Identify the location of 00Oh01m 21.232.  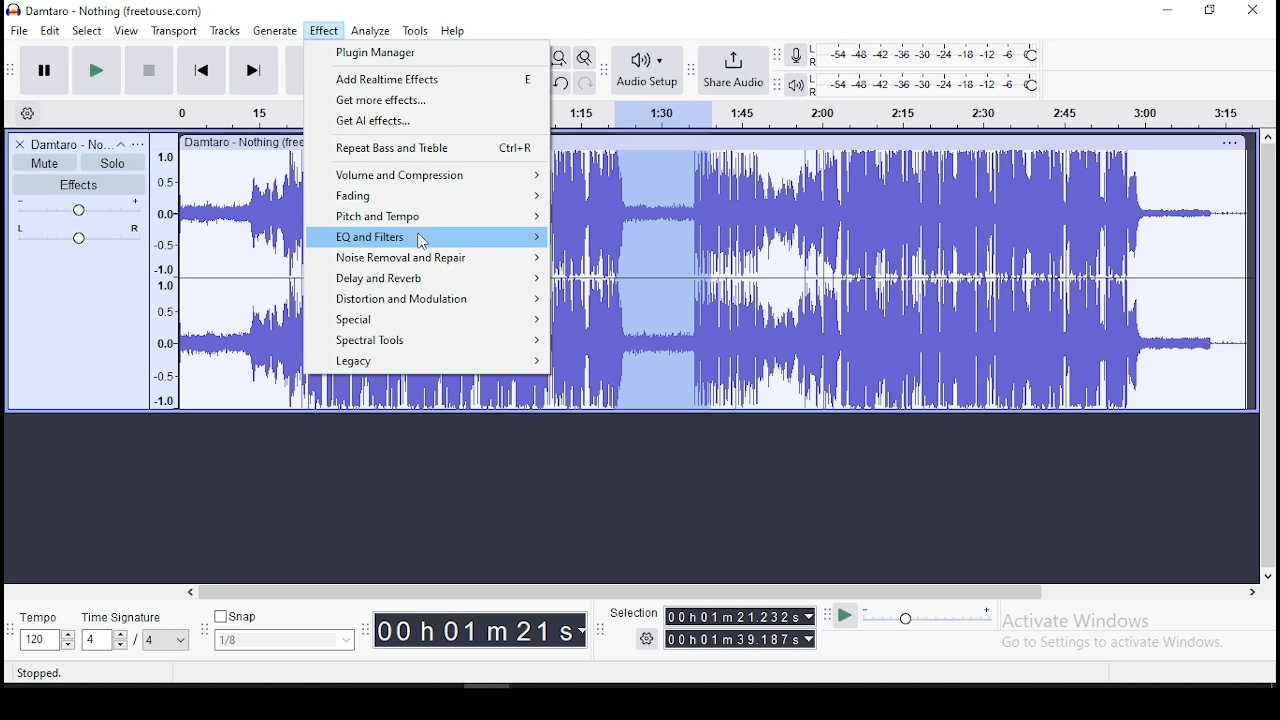
(731, 616).